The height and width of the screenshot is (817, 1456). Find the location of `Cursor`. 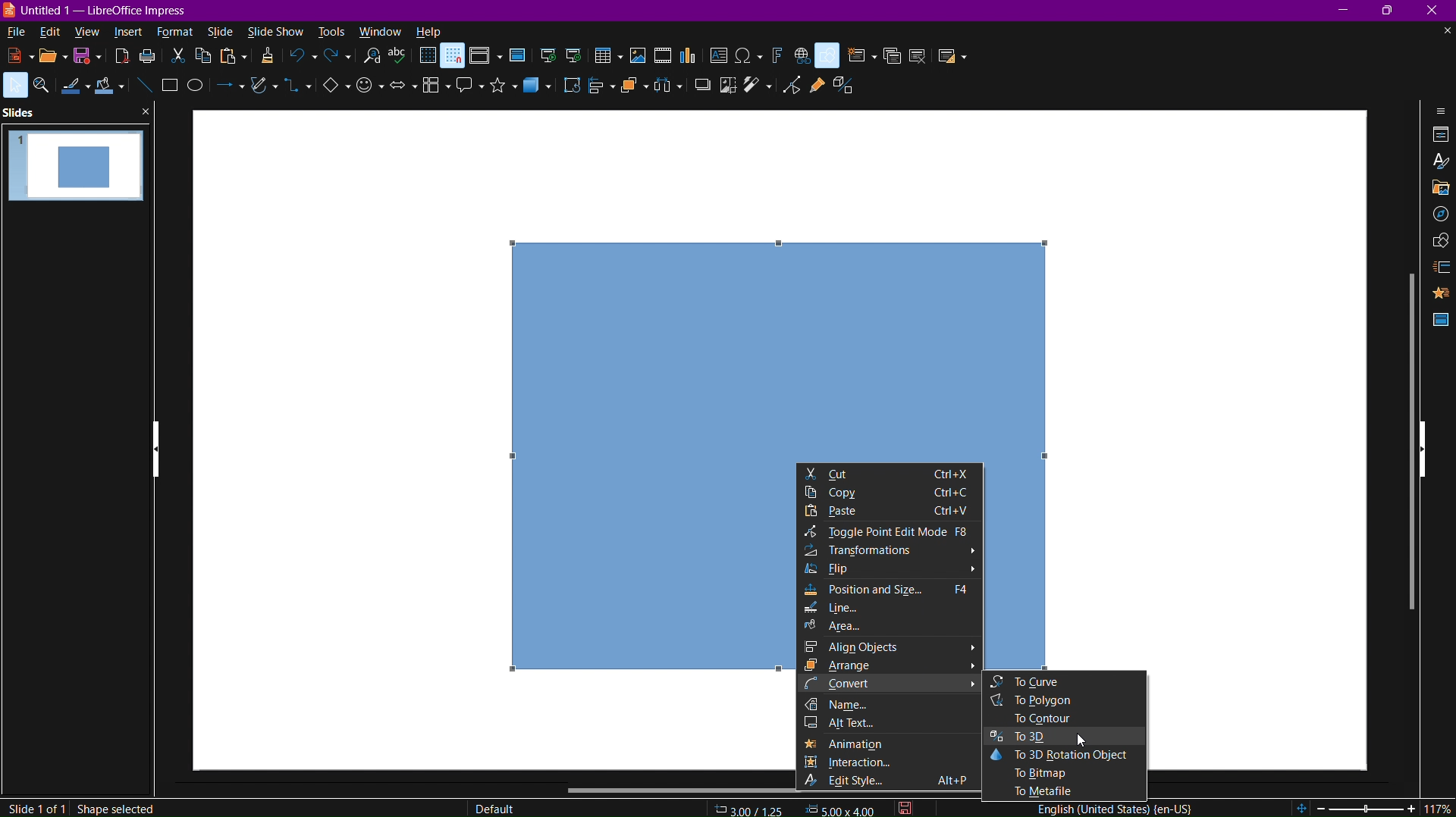

Cursor is located at coordinates (1084, 740).